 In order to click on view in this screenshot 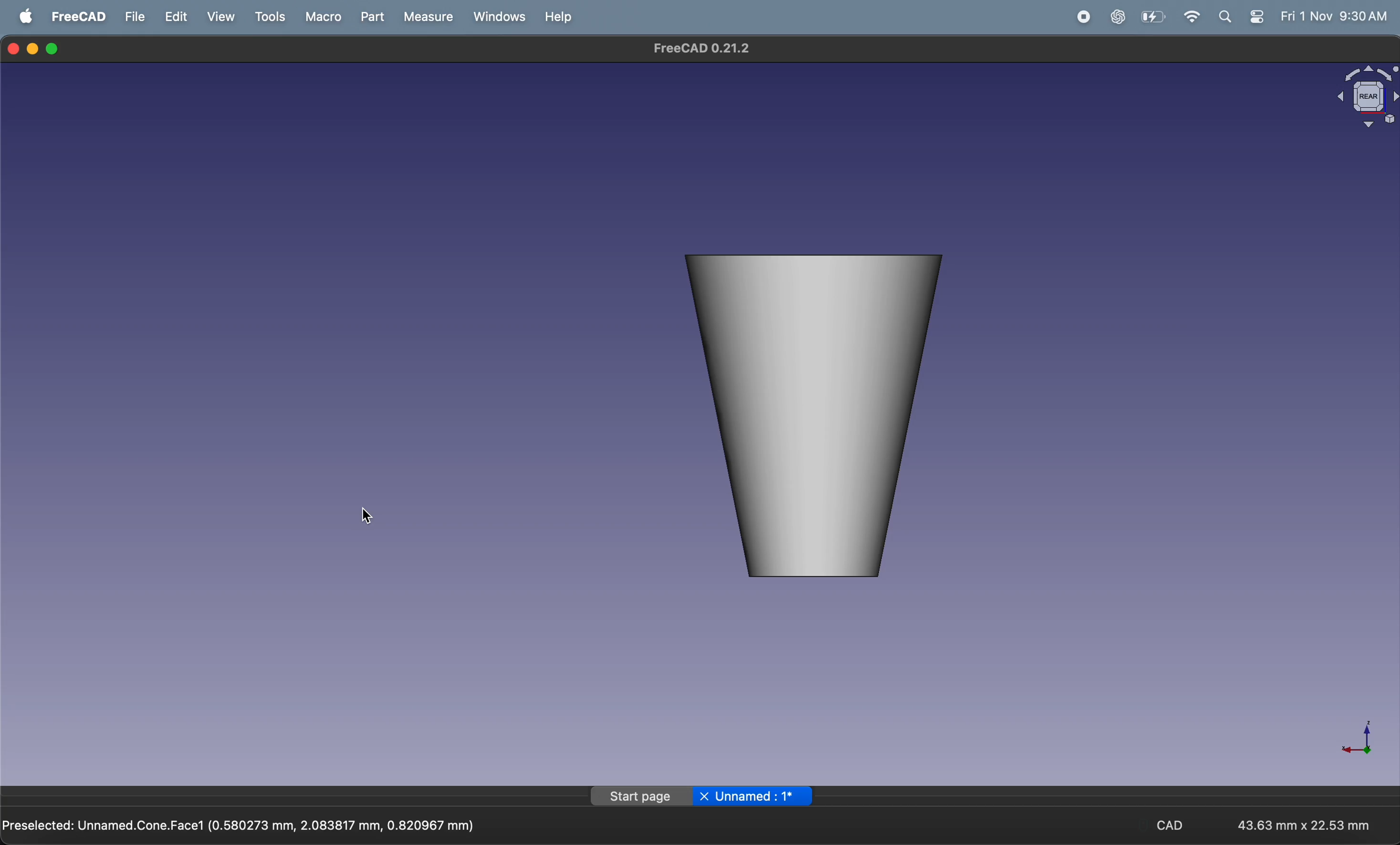, I will do `click(224, 16)`.